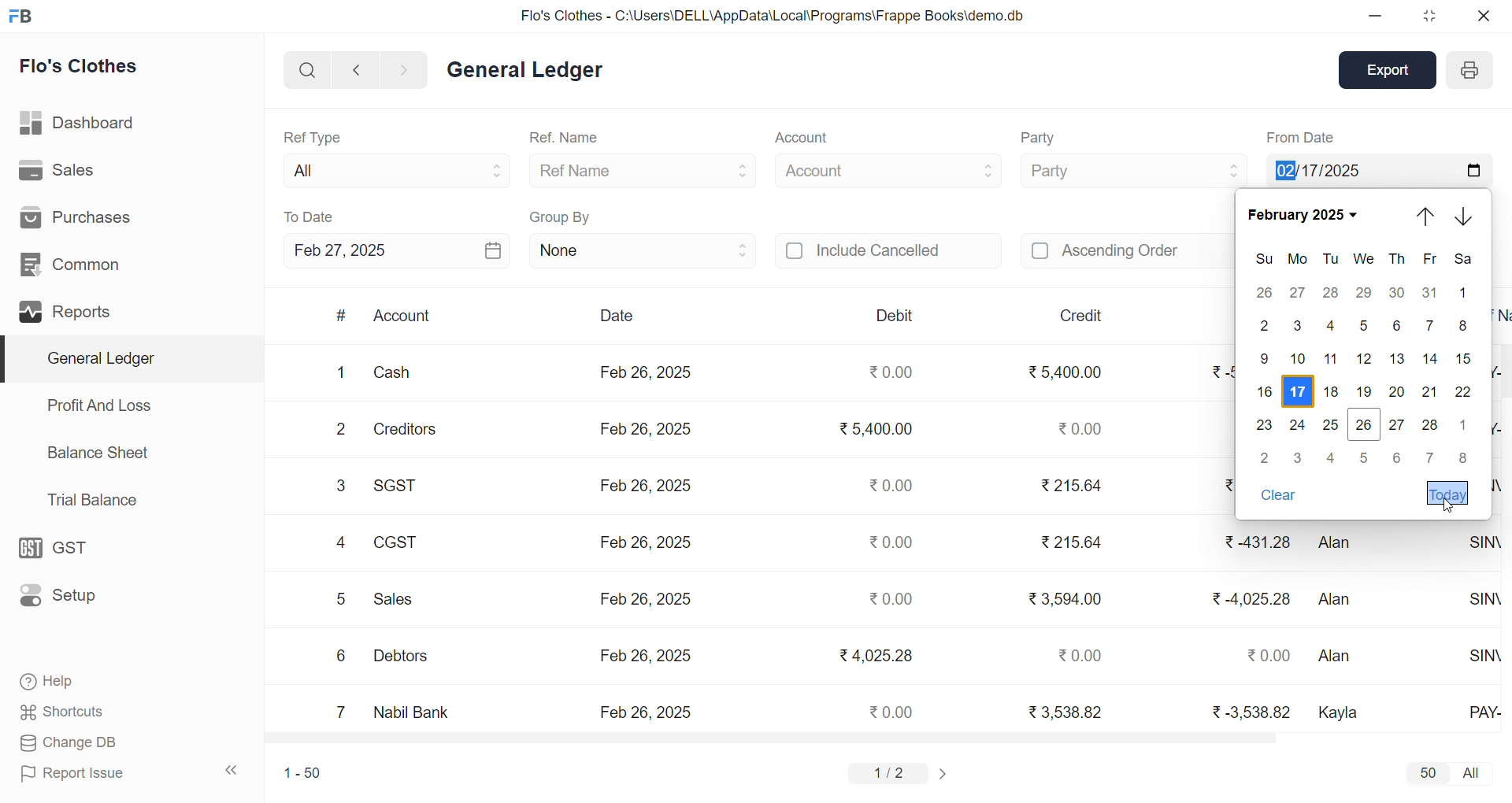  I want to click on Dashboard, so click(75, 120).